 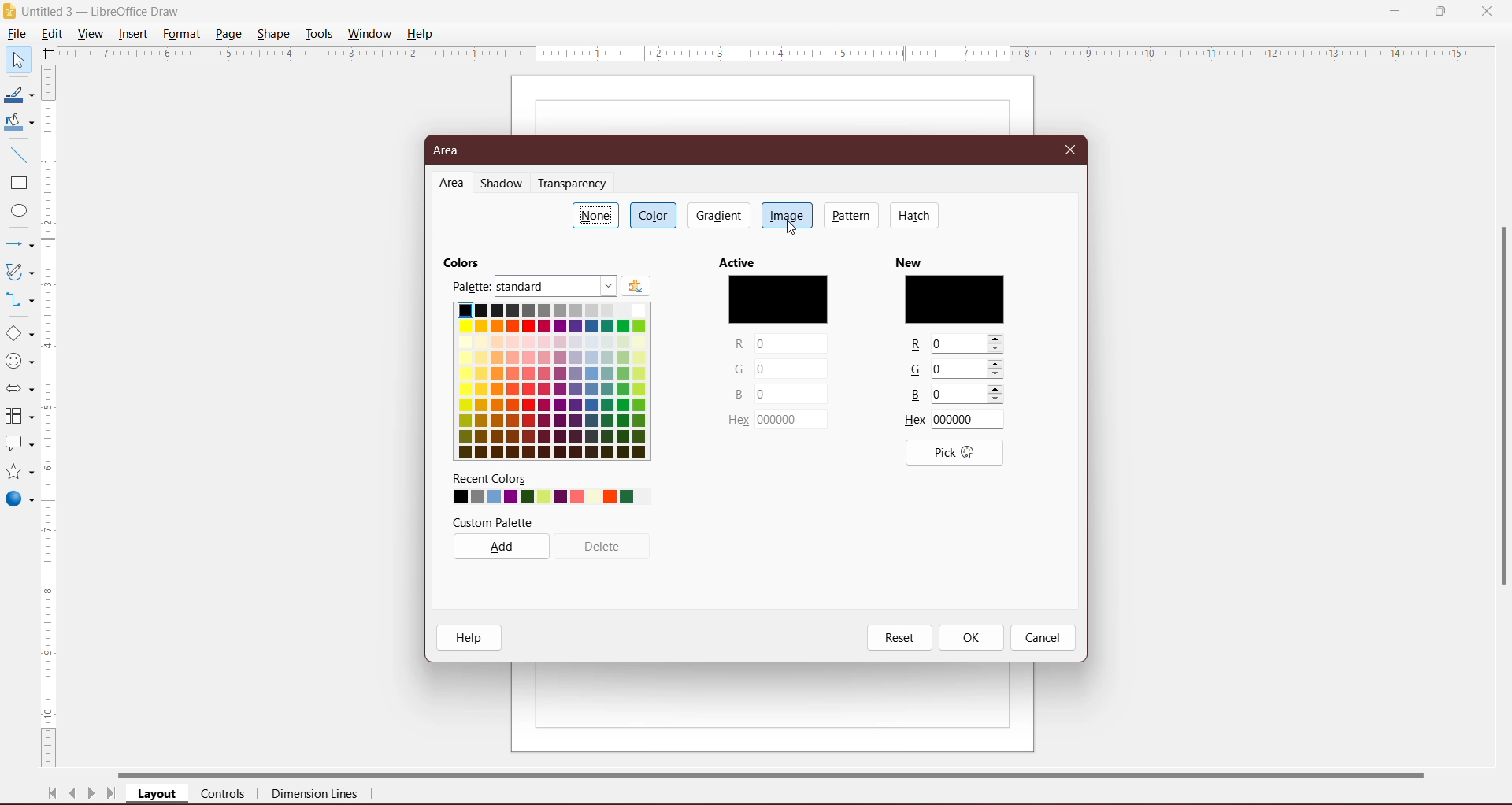 What do you see at coordinates (792, 421) in the screenshot?
I see `000000` at bounding box center [792, 421].